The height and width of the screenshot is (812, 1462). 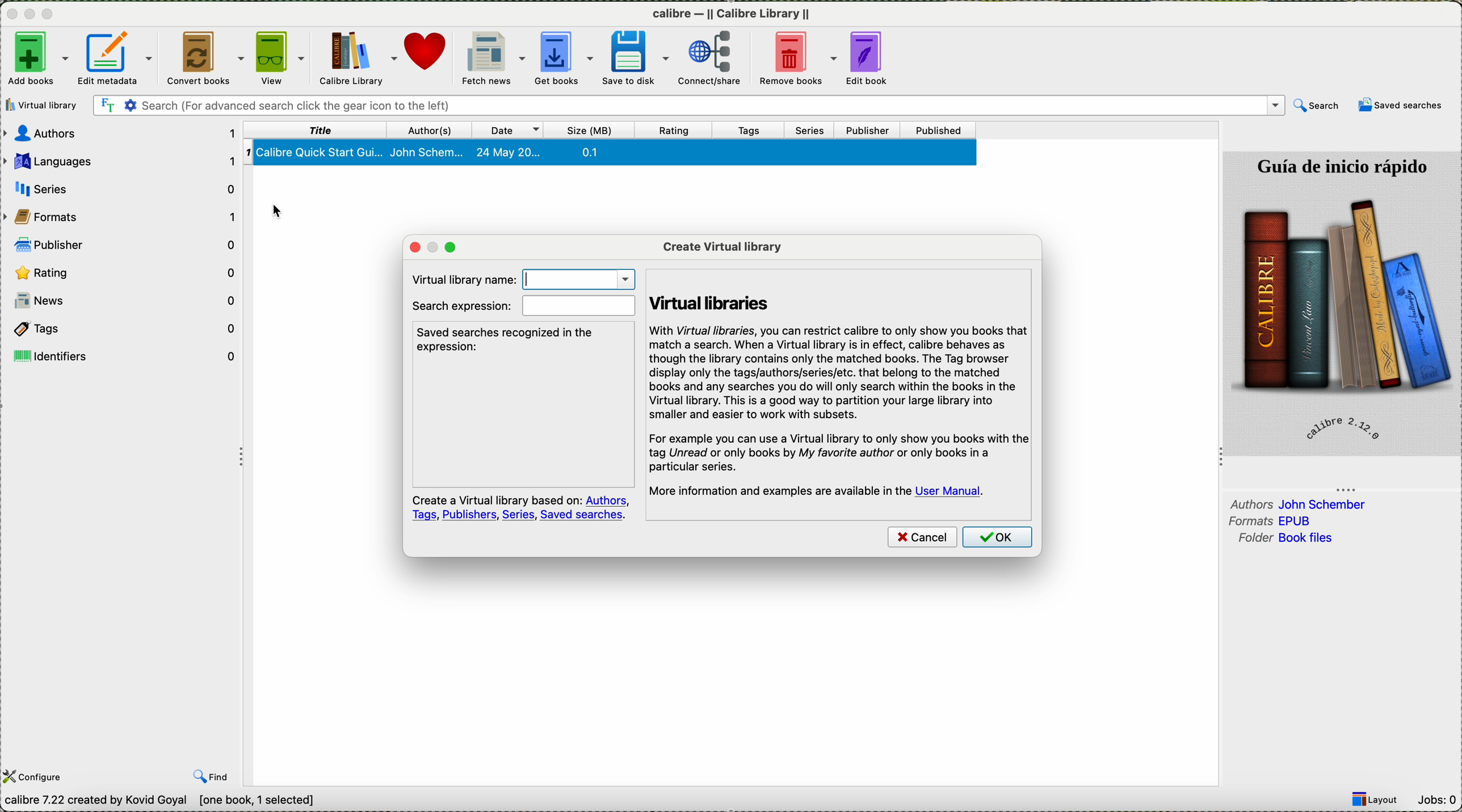 What do you see at coordinates (732, 16) in the screenshot?
I see `calibre -II Callibre Library II` at bounding box center [732, 16].